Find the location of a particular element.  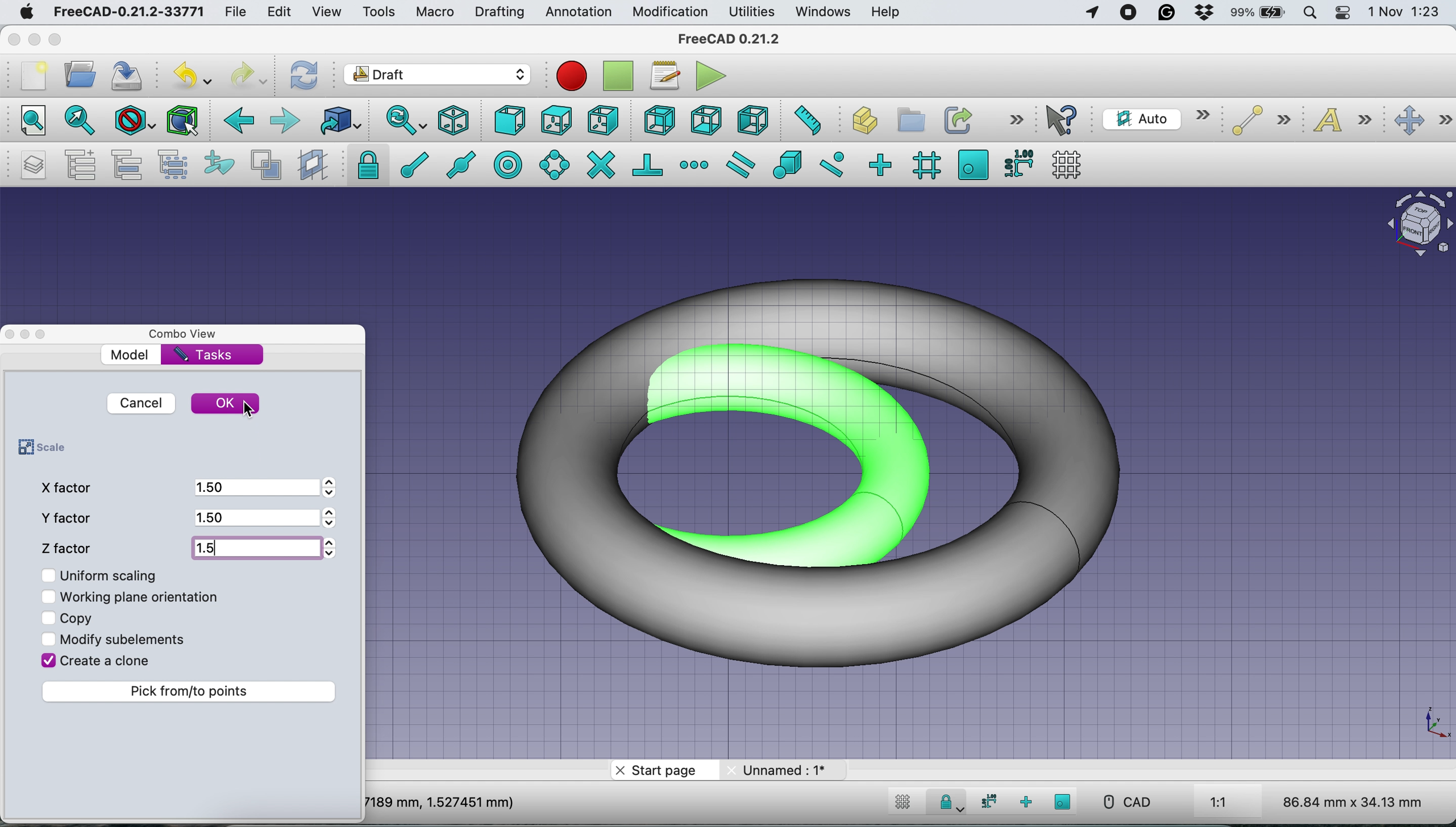

snap endpoint is located at coordinates (411, 164).